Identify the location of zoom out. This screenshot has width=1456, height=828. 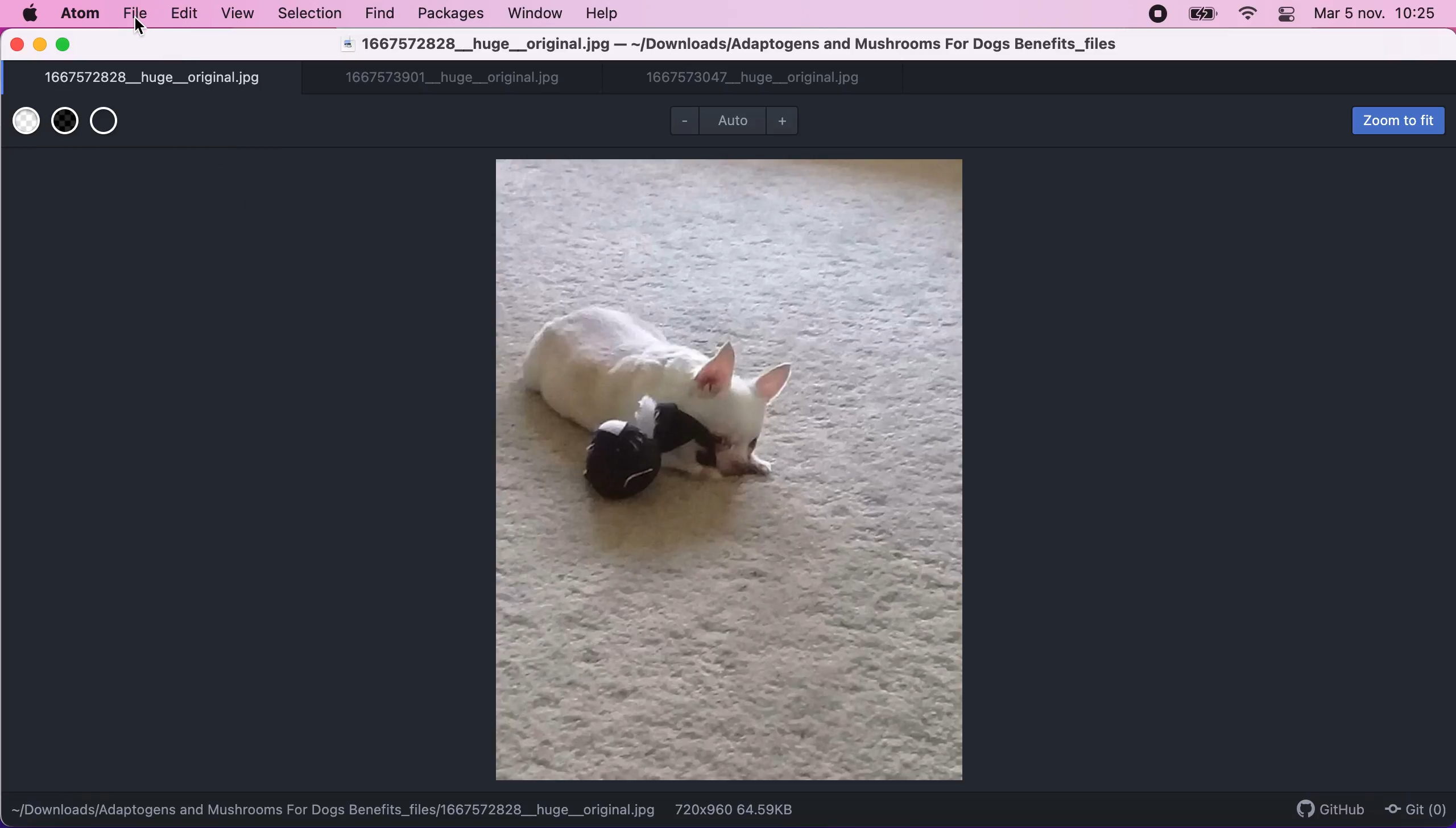
(682, 122).